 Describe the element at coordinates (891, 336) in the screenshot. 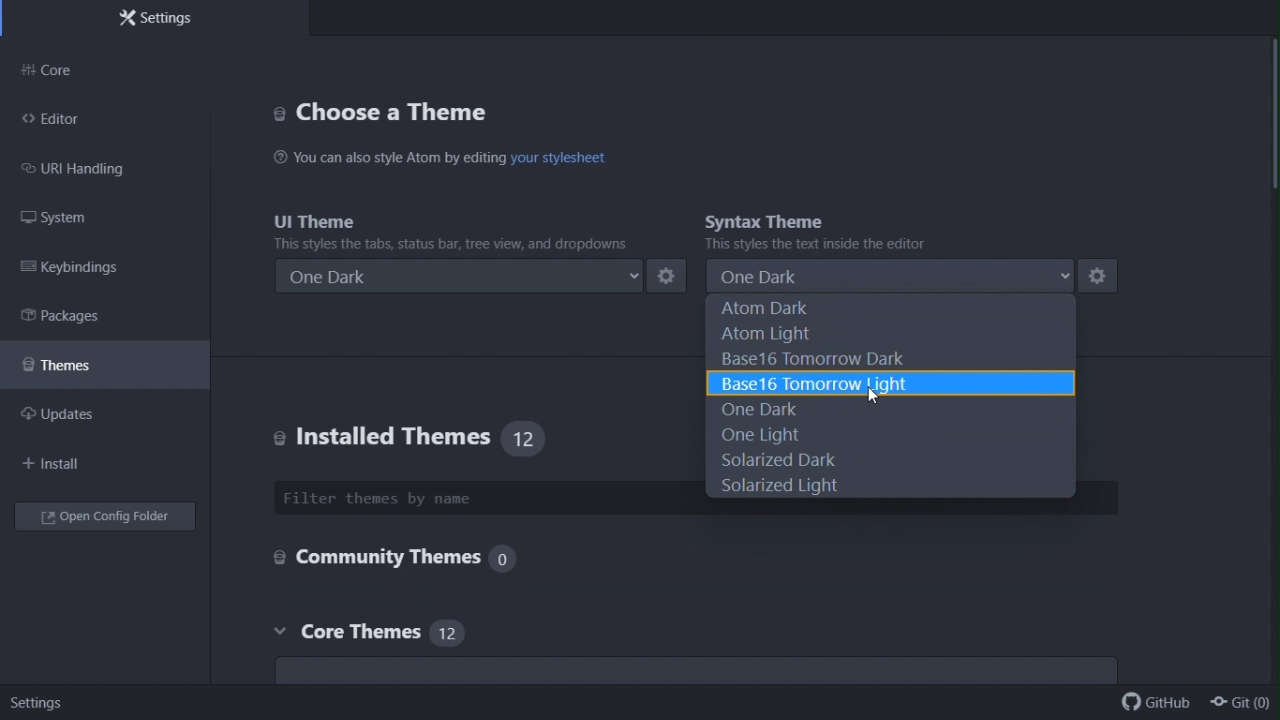

I see `Atom light` at that location.